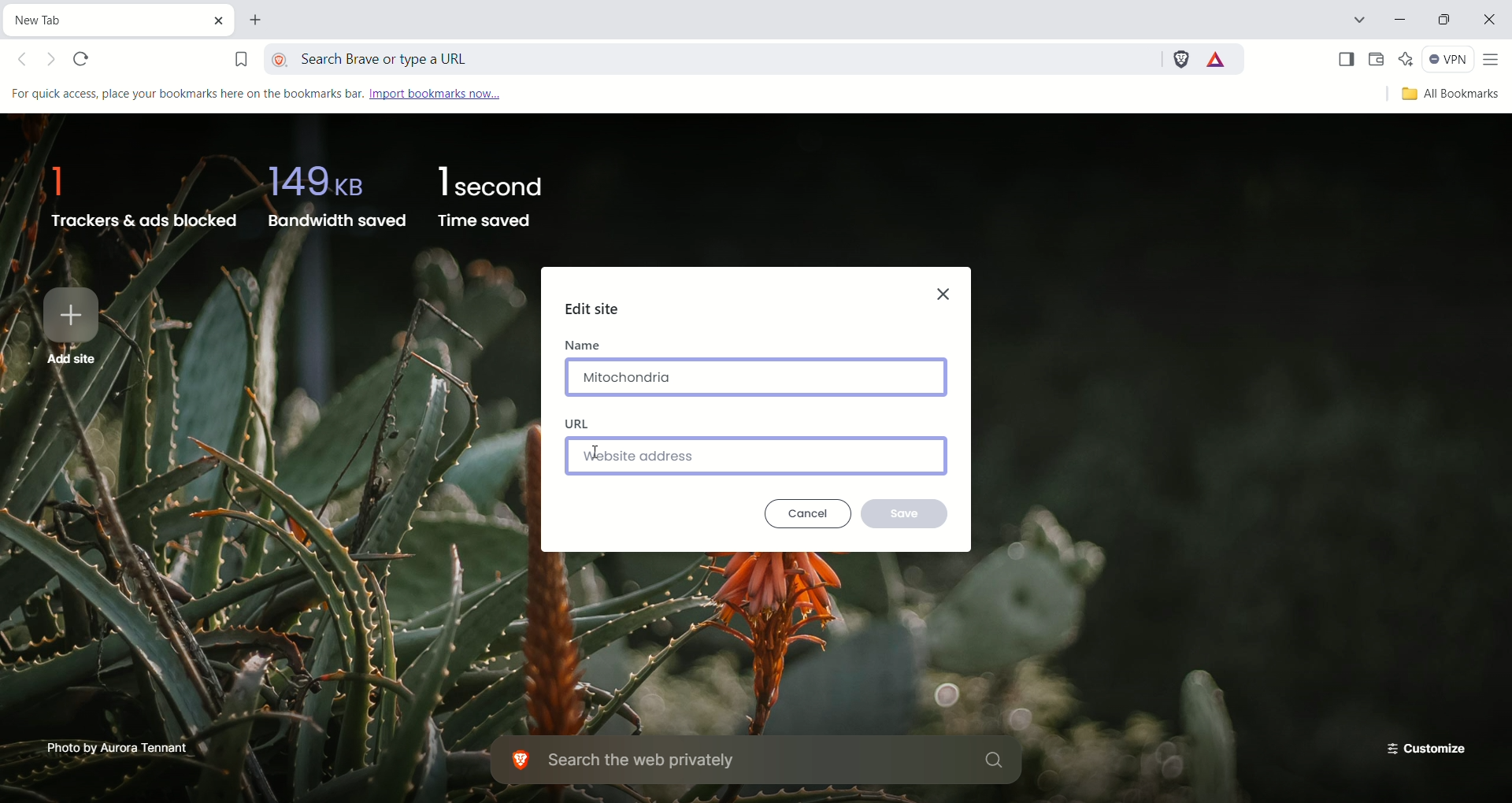 The height and width of the screenshot is (803, 1512). Describe the element at coordinates (54, 62) in the screenshot. I see `Click to go forward, hold to see history` at that location.